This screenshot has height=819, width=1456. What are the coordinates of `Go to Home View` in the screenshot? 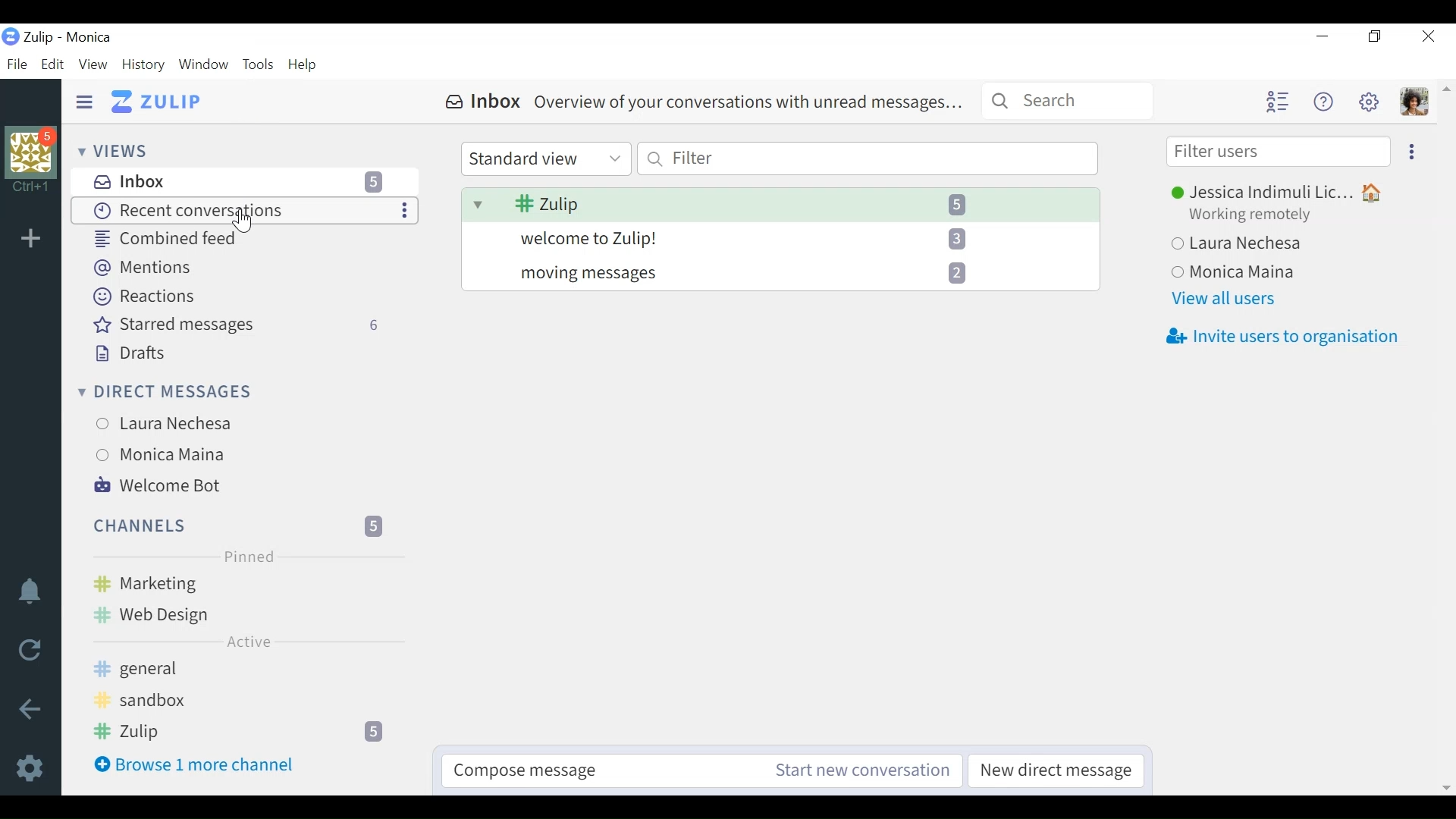 It's located at (160, 101).